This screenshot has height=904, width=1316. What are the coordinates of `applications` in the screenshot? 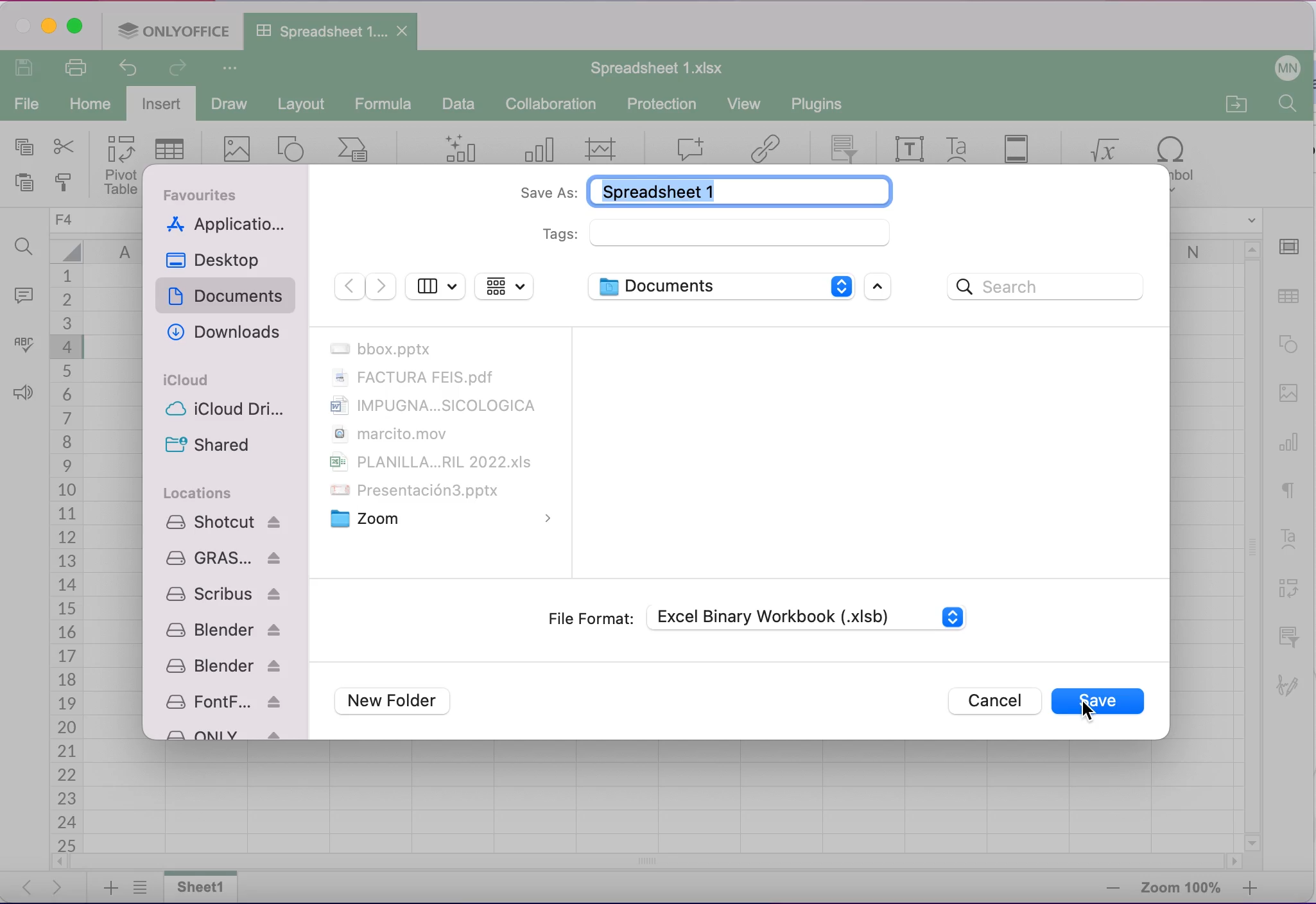 It's located at (229, 226).